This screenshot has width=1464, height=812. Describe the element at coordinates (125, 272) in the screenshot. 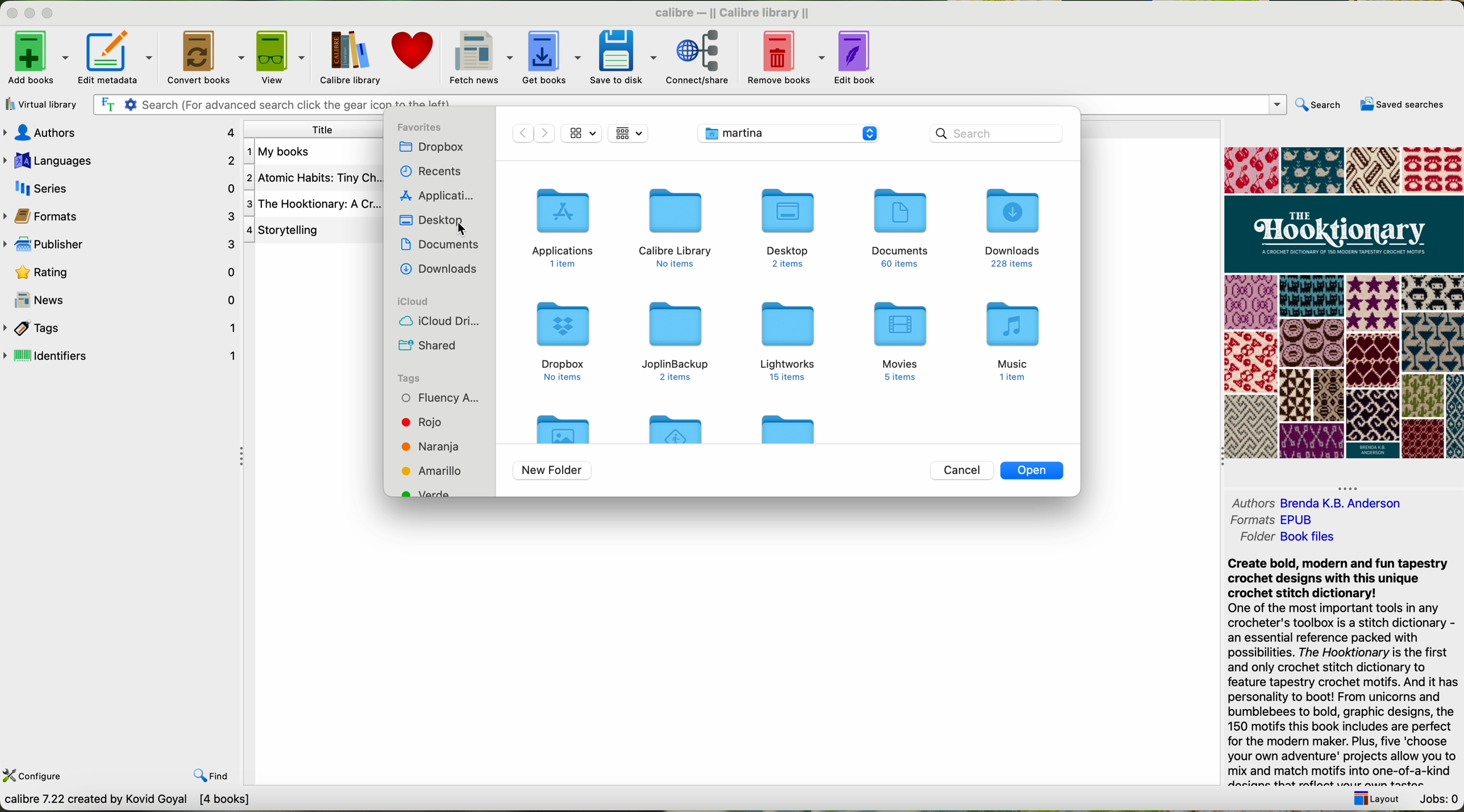

I see `rating` at that location.